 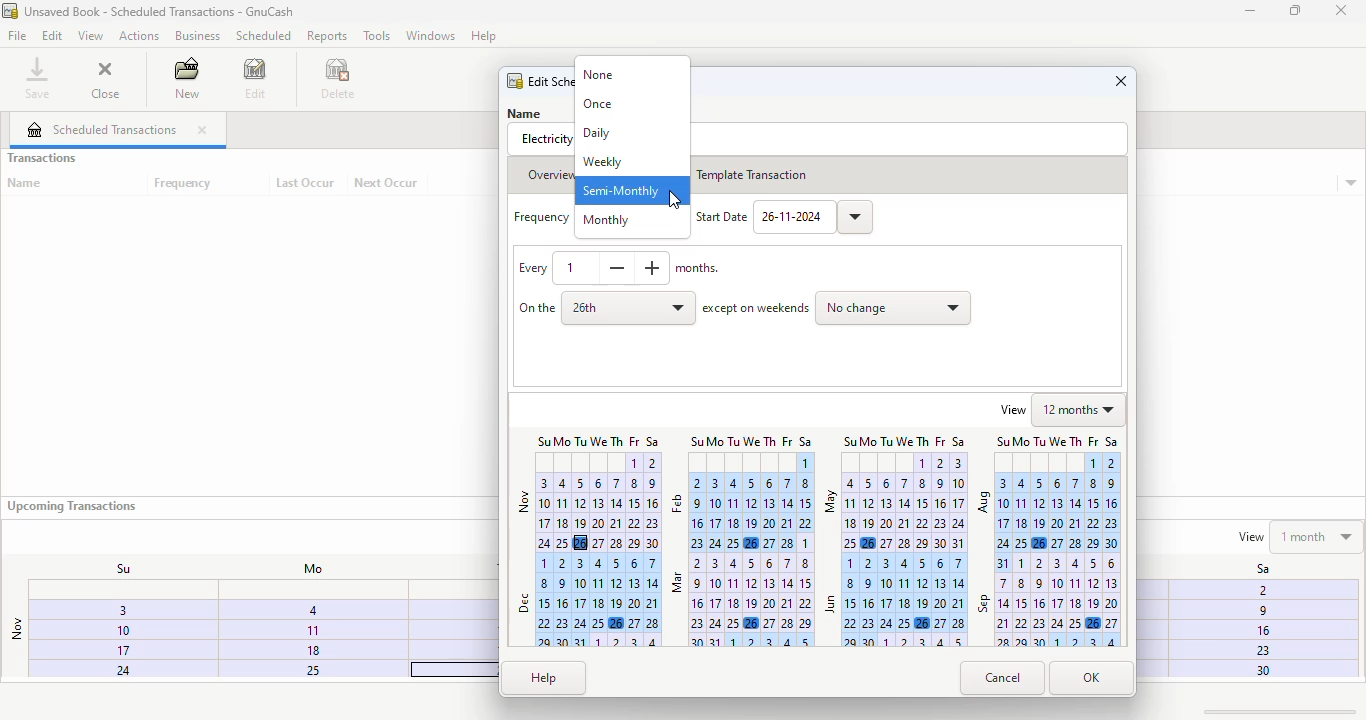 I want to click on Months., so click(x=723, y=268).